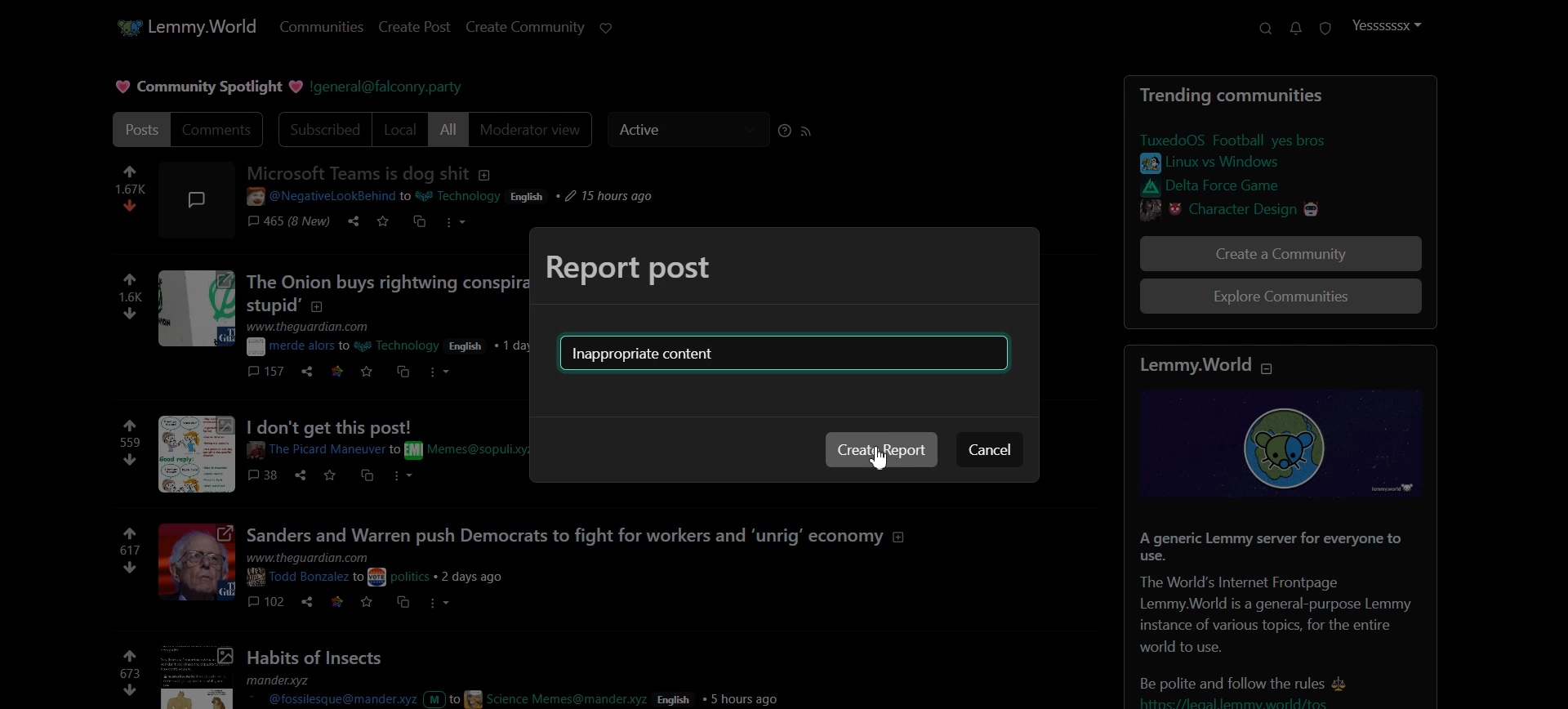  Describe the element at coordinates (1325, 29) in the screenshot. I see `Unread Report` at that location.